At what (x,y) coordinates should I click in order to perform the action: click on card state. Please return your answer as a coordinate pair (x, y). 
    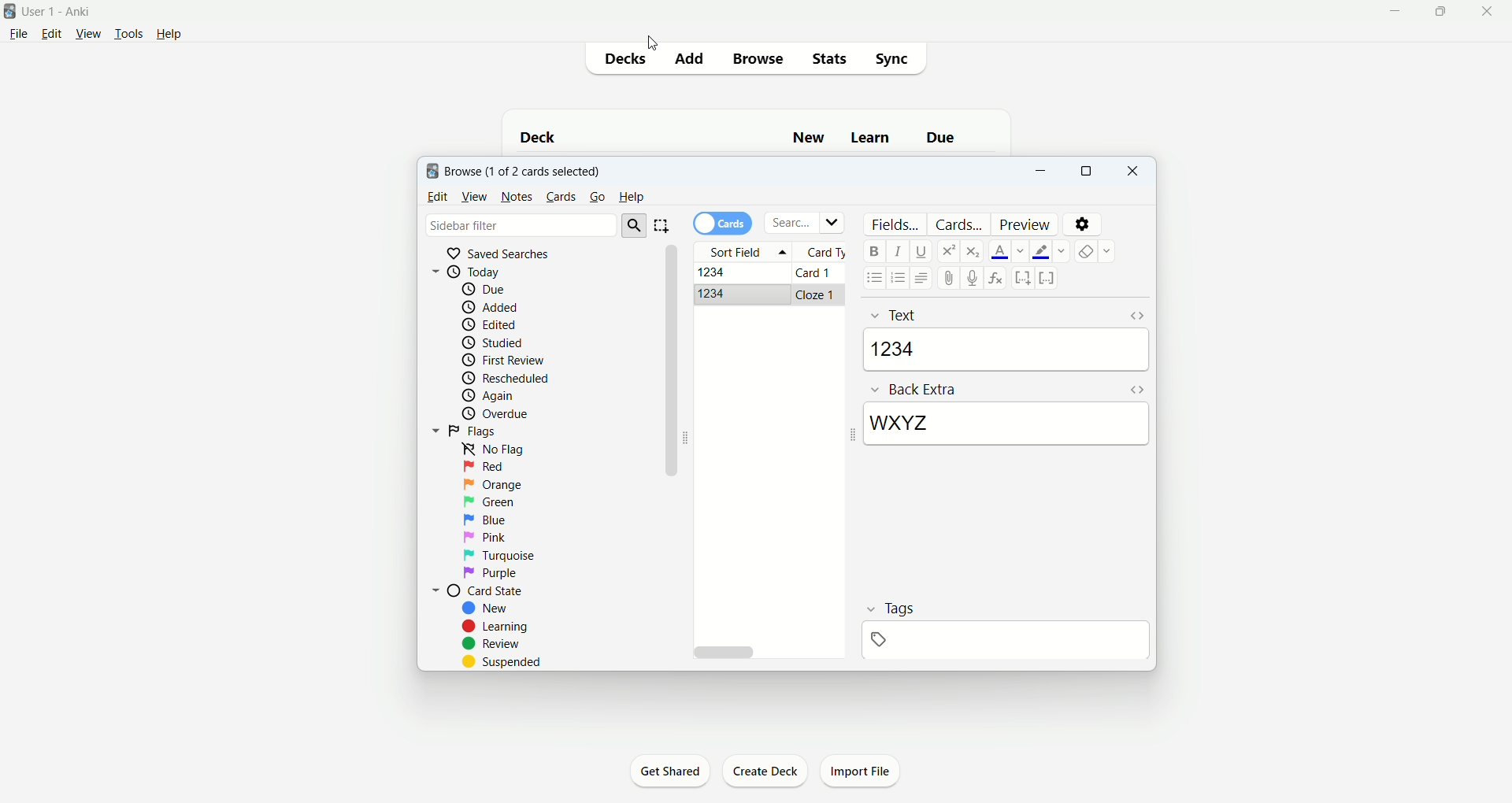
    Looking at the image, I should click on (476, 593).